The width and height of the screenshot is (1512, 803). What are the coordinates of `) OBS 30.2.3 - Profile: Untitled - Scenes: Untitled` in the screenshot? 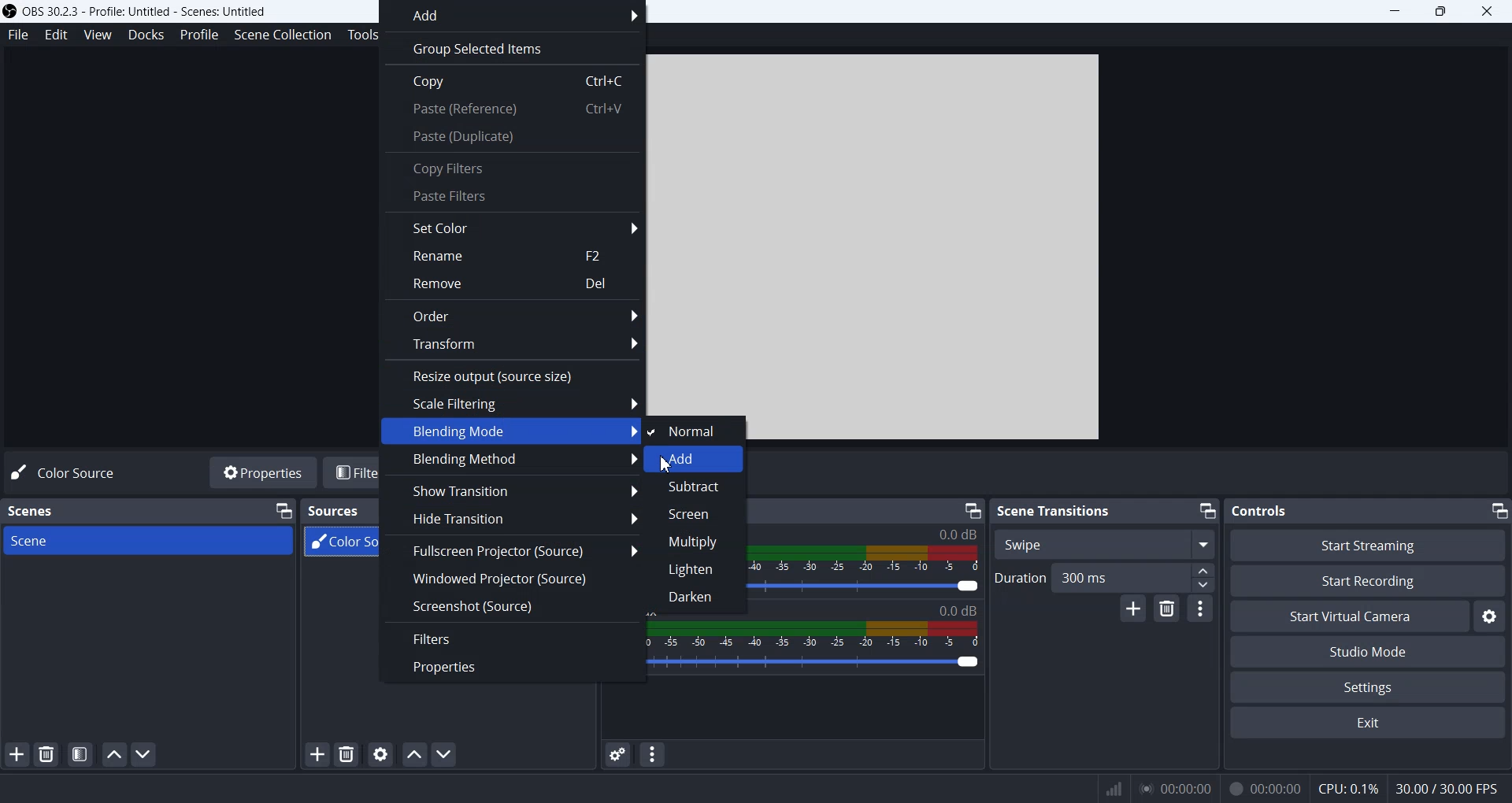 It's located at (142, 10).